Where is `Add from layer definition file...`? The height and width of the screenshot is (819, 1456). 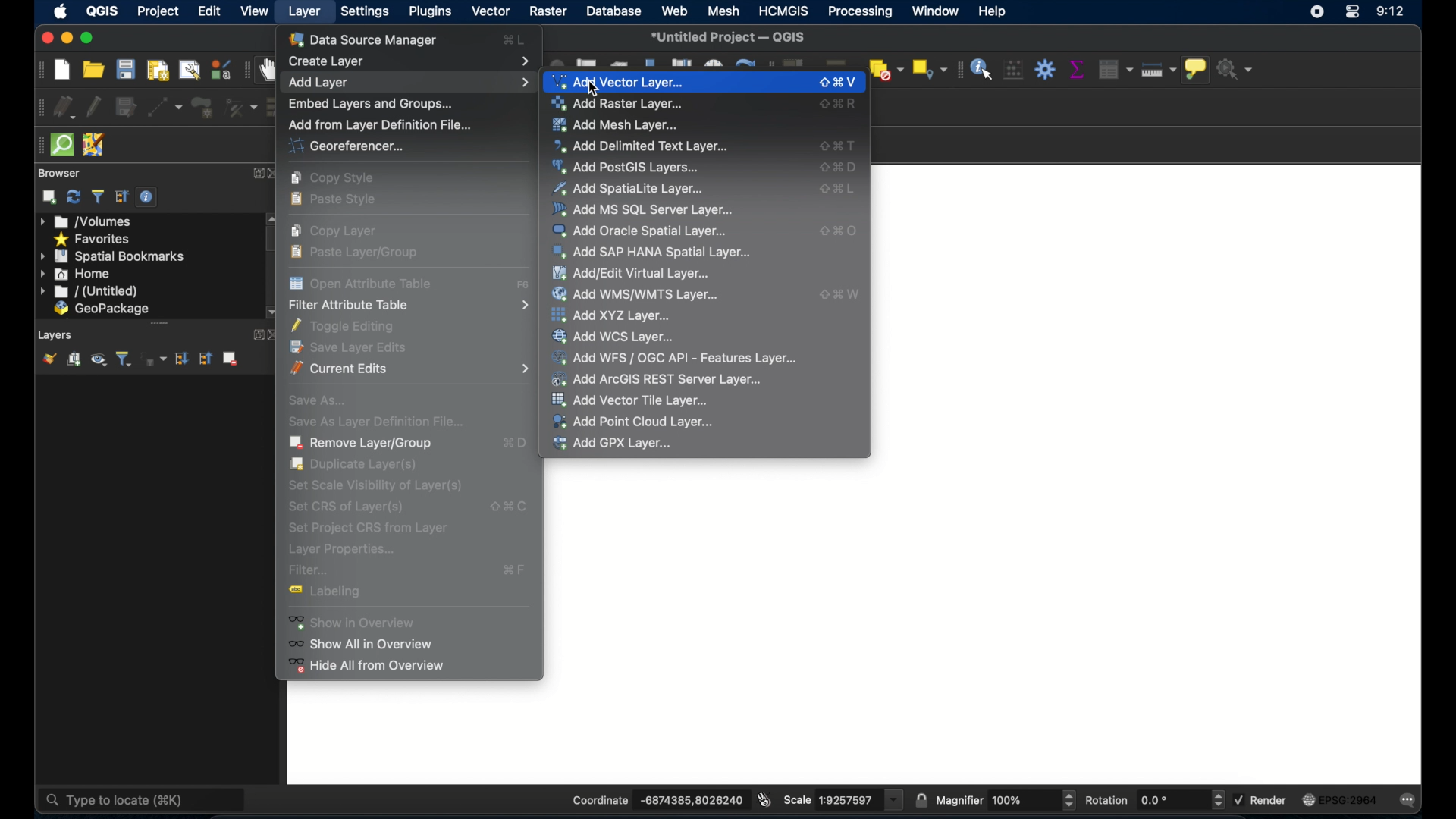
Add from layer definition file... is located at coordinates (383, 124).